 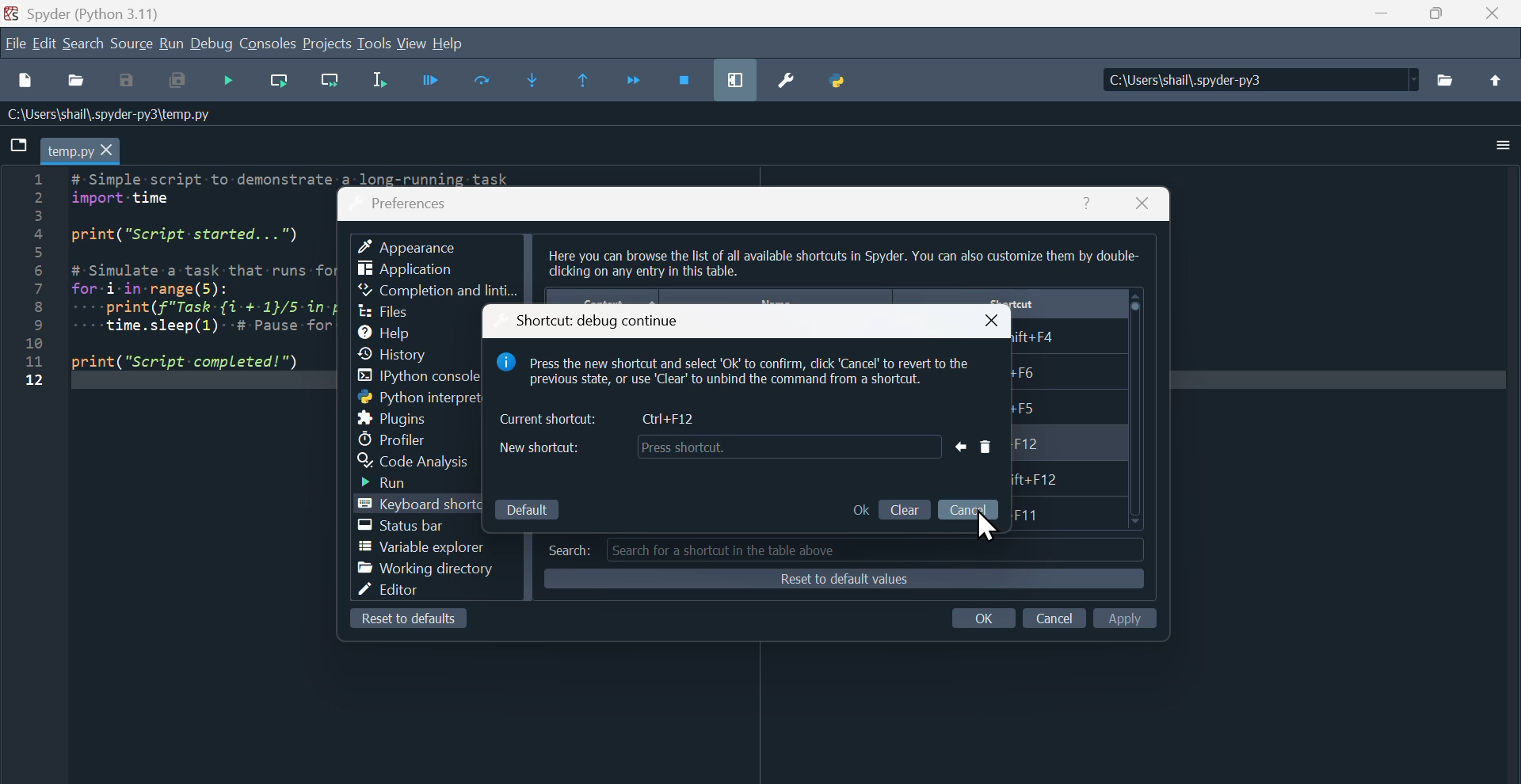 I want to click on note, so click(x=733, y=367).